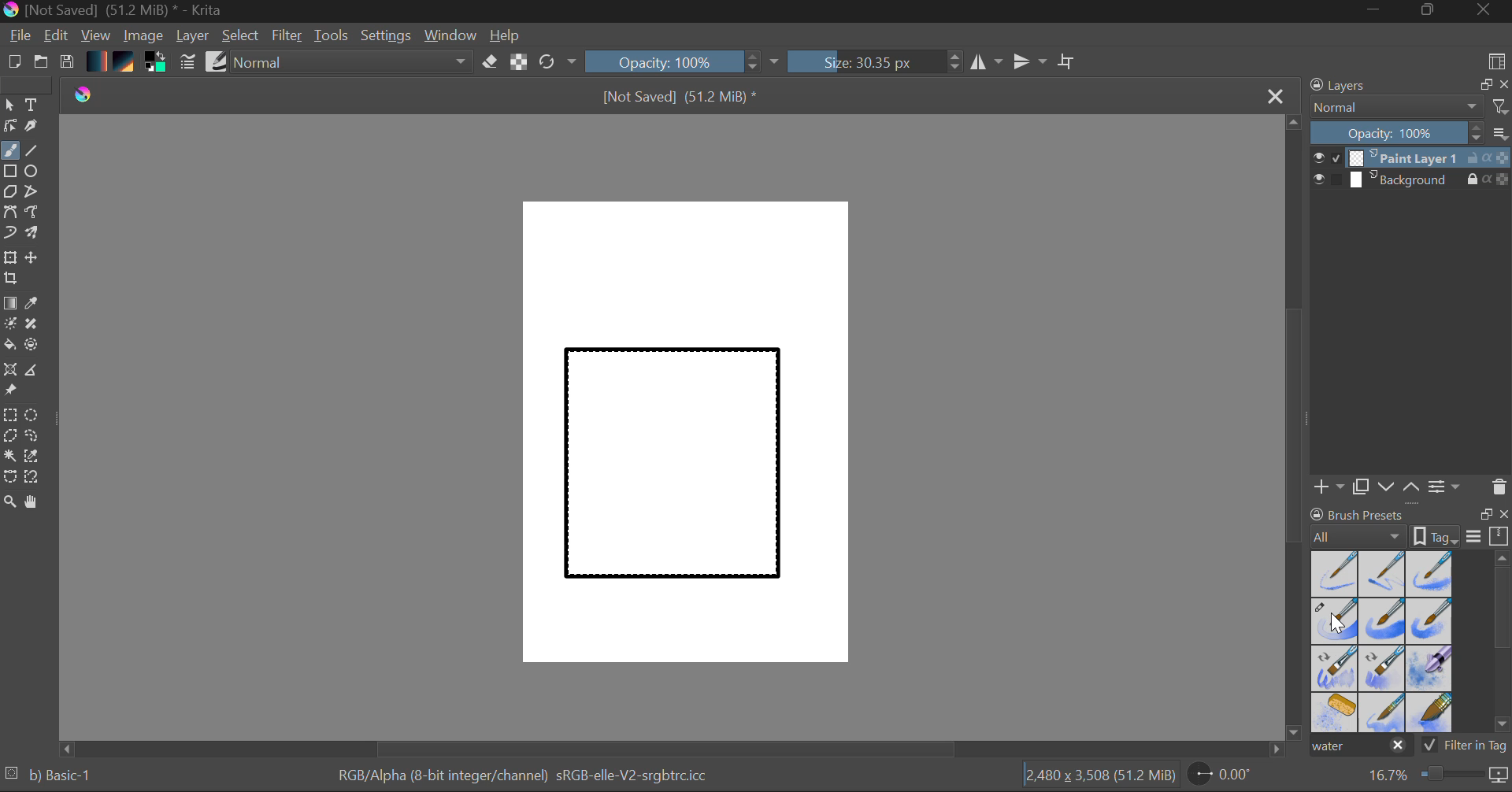  What do you see at coordinates (1382, 667) in the screenshot?
I see `Water C - Decay Tilt` at bounding box center [1382, 667].